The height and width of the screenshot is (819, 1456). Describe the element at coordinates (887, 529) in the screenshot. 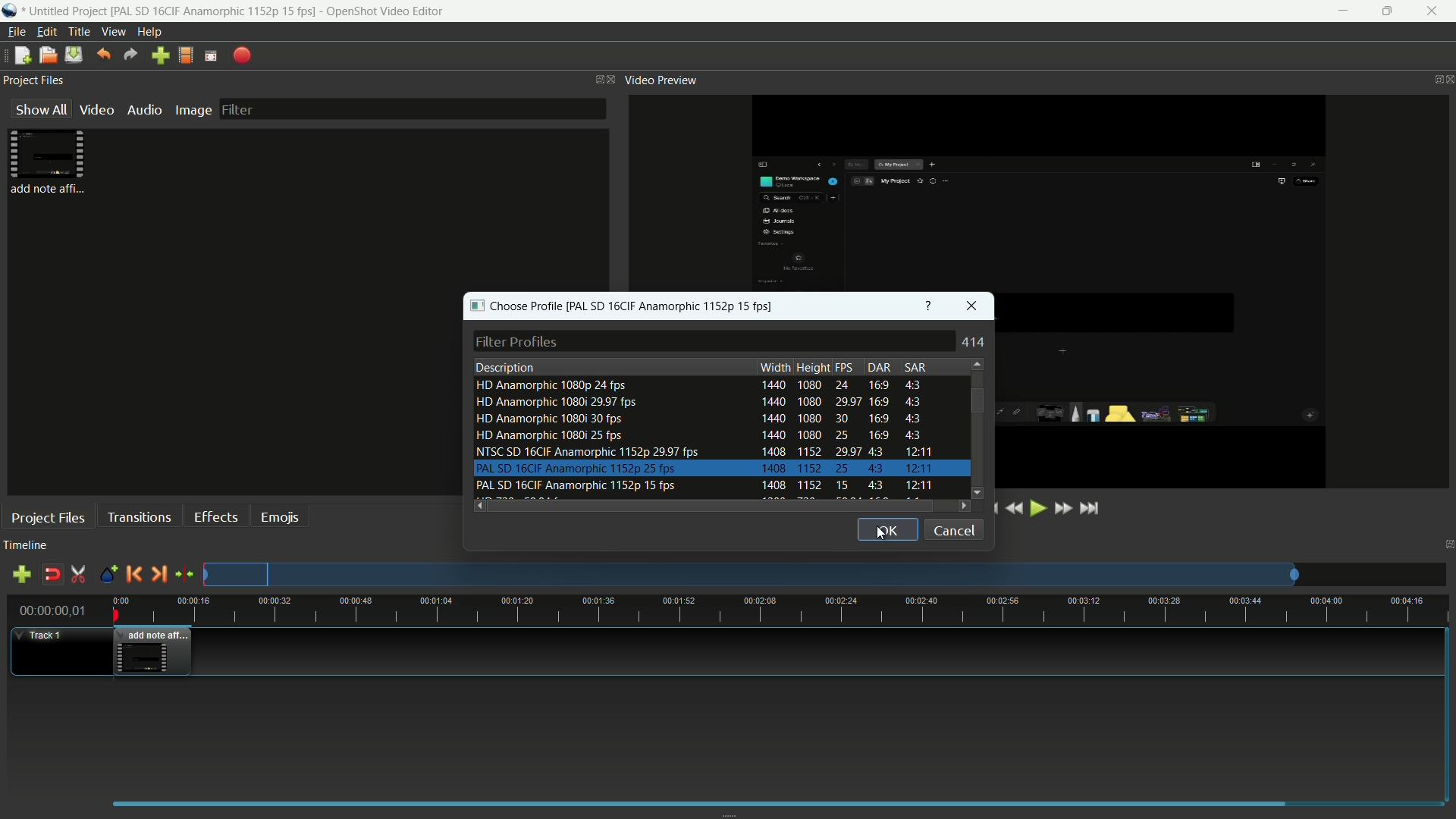

I see `ok` at that location.